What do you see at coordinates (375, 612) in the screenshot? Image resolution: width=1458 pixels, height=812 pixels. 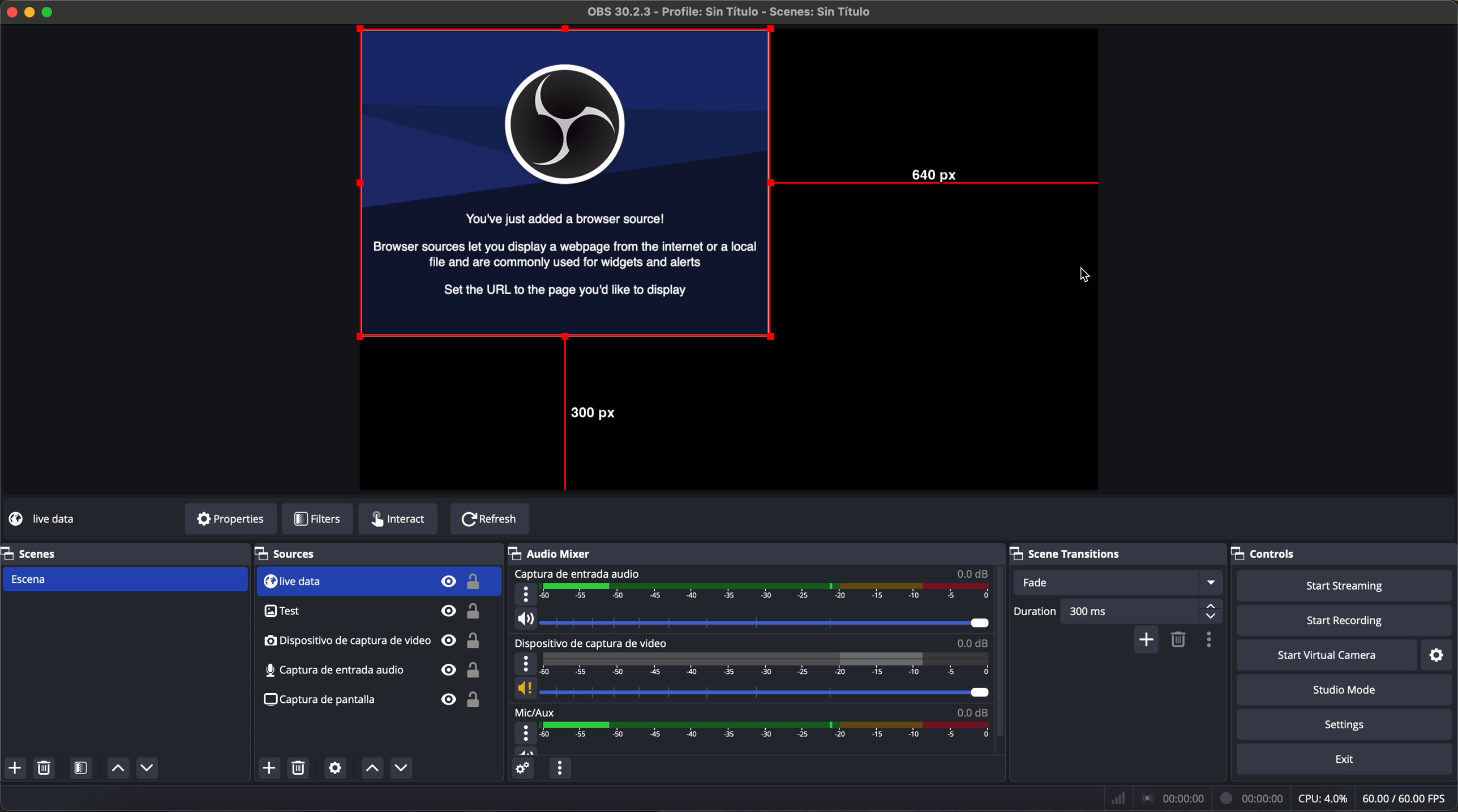 I see `video capture device` at bounding box center [375, 612].